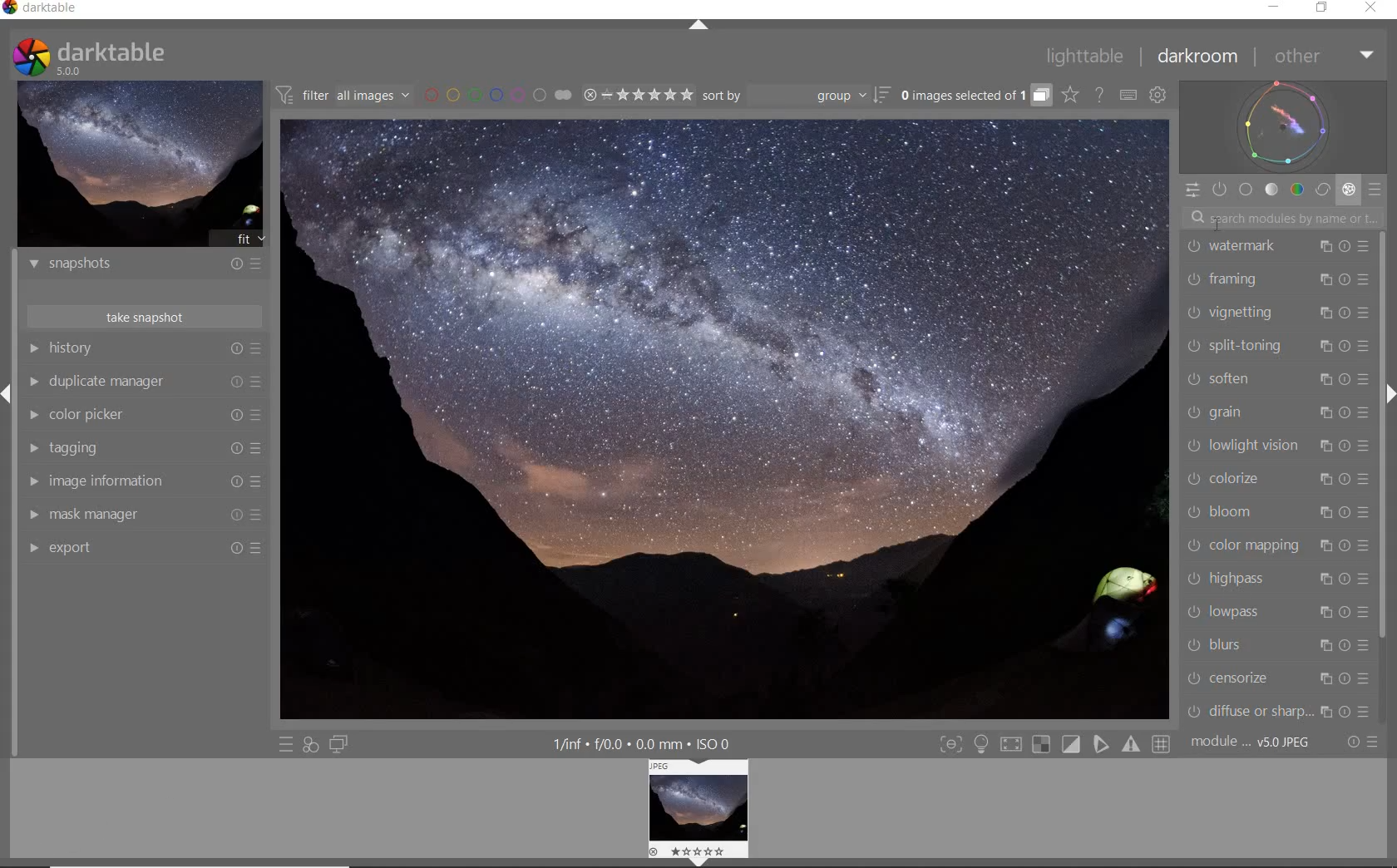 The width and height of the screenshot is (1397, 868). Describe the element at coordinates (1324, 478) in the screenshot. I see `multiple instance actions` at that location.